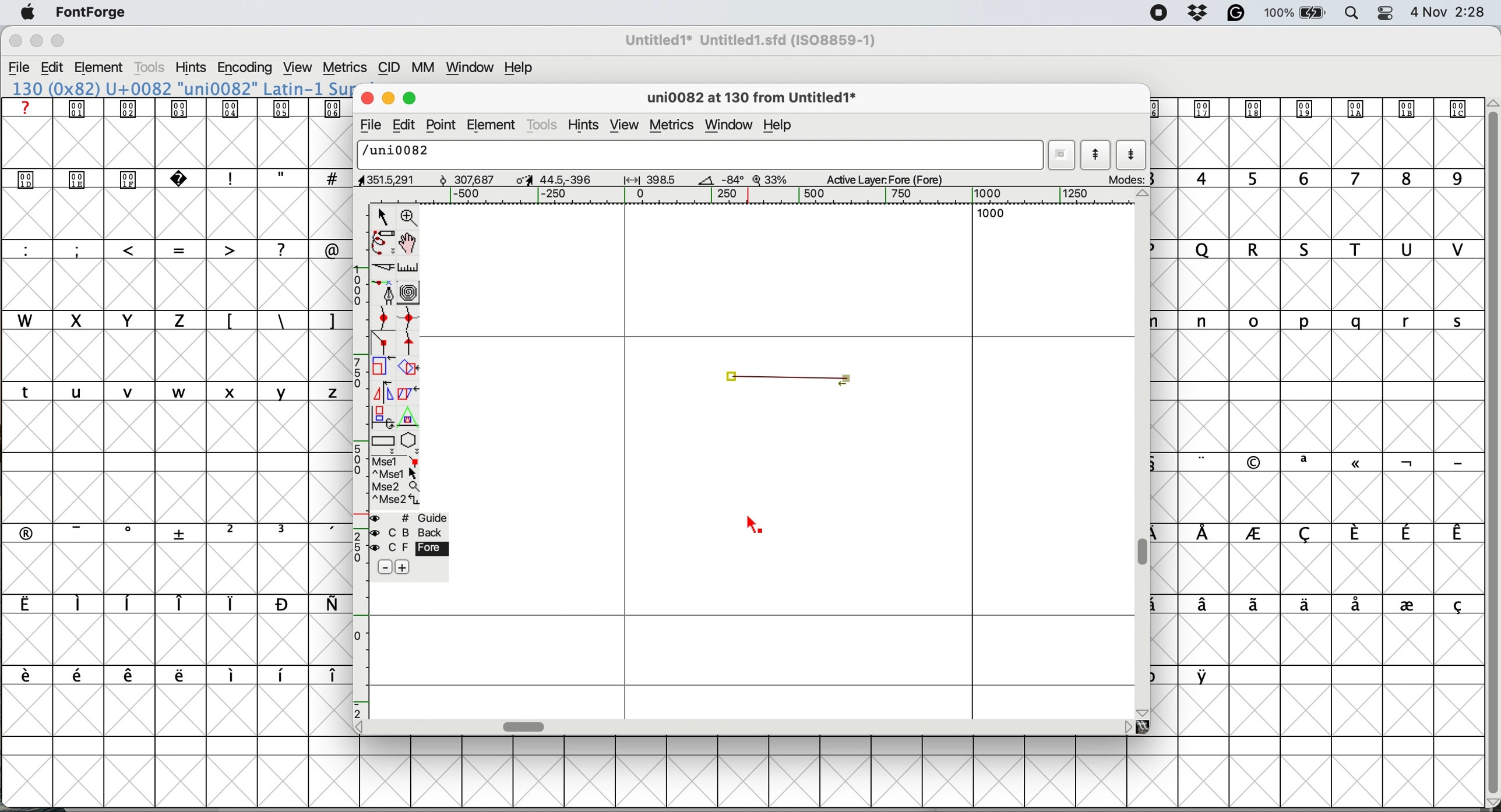 This screenshot has width=1501, height=812. Describe the element at coordinates (625, 126) in the screenshot. I see `view` at that location.